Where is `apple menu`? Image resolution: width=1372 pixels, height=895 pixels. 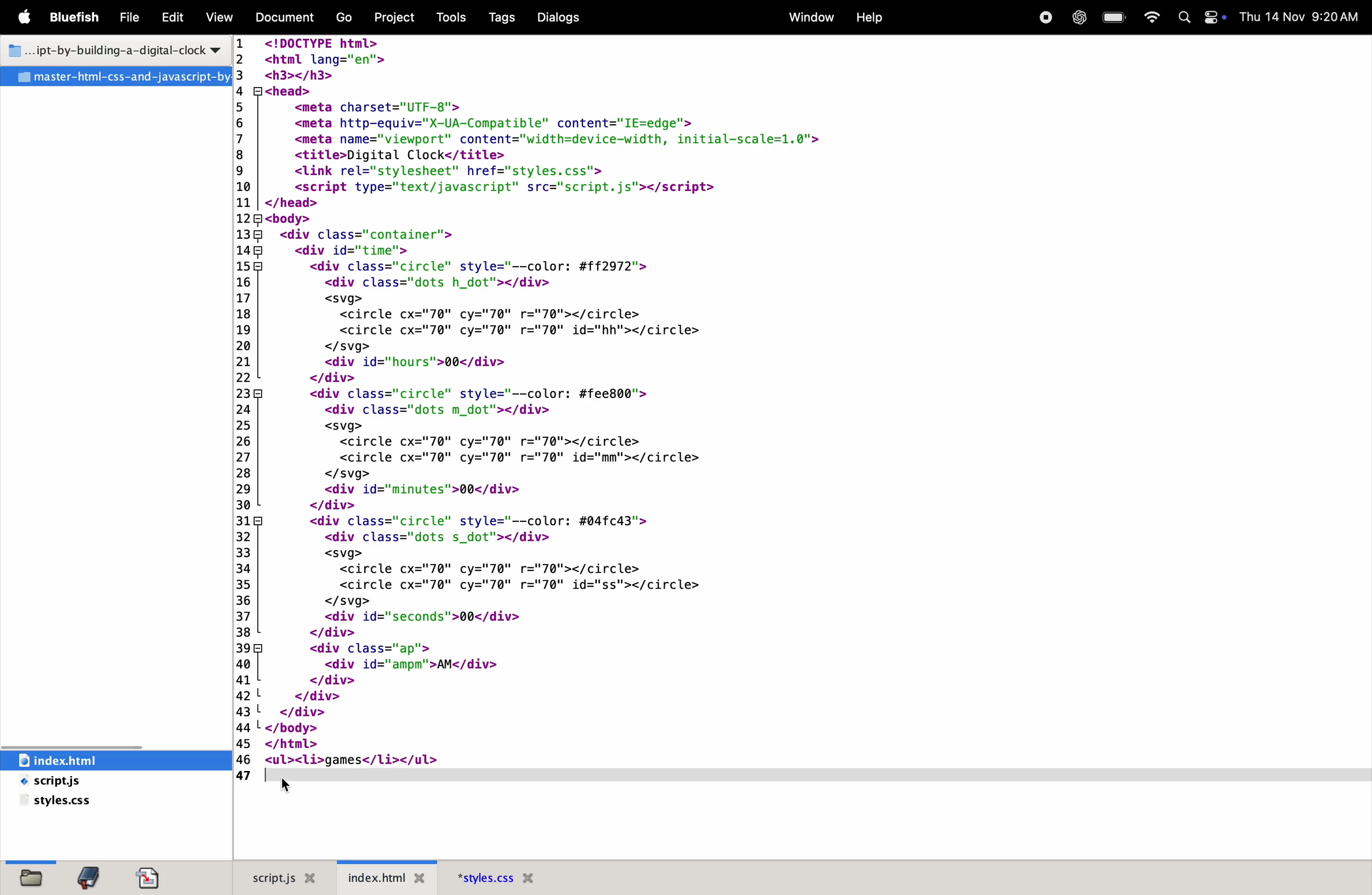
apple menu is located at coordinates (28, 18).